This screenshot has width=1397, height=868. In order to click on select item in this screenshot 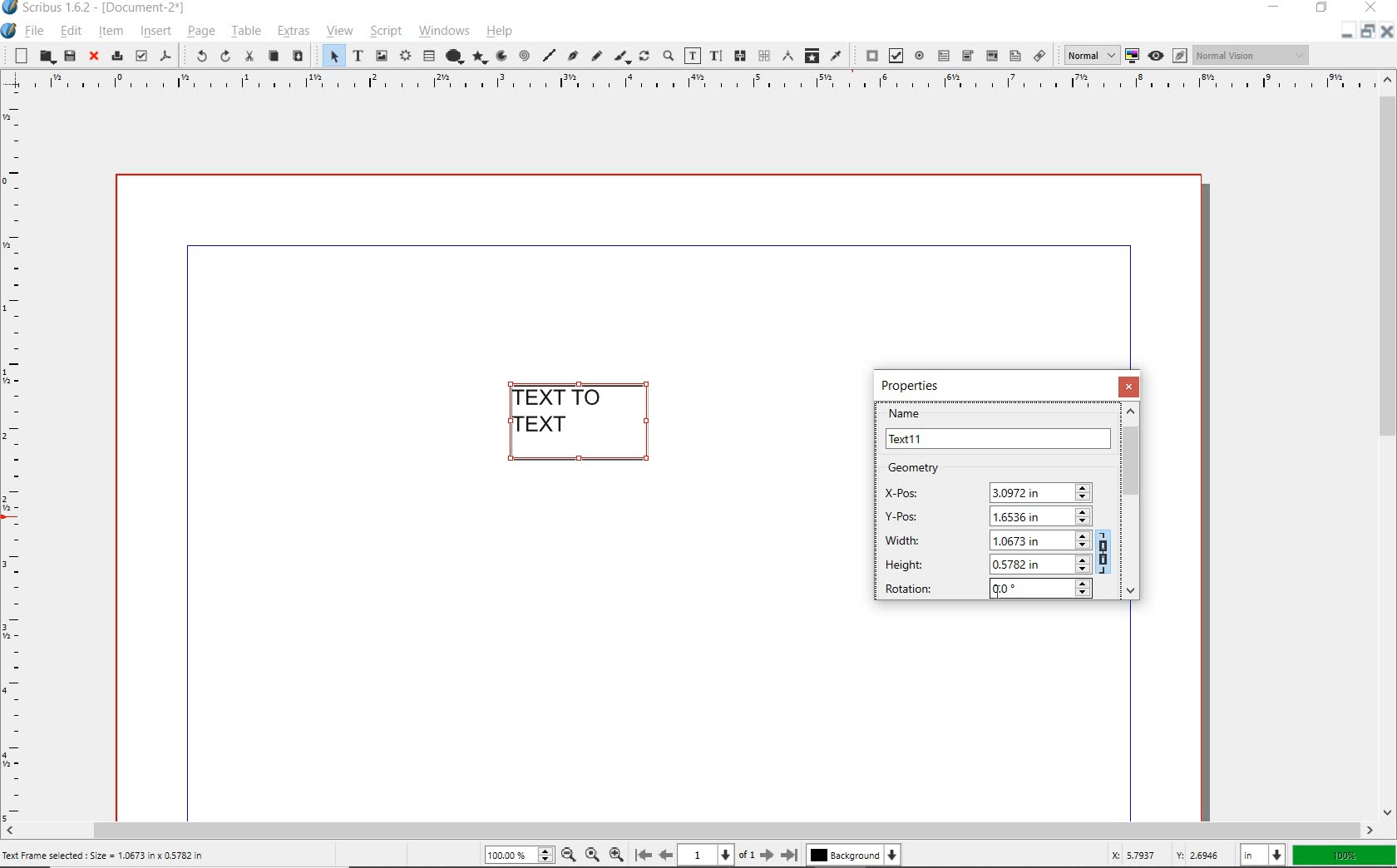, I will do `click(330, 55)`.